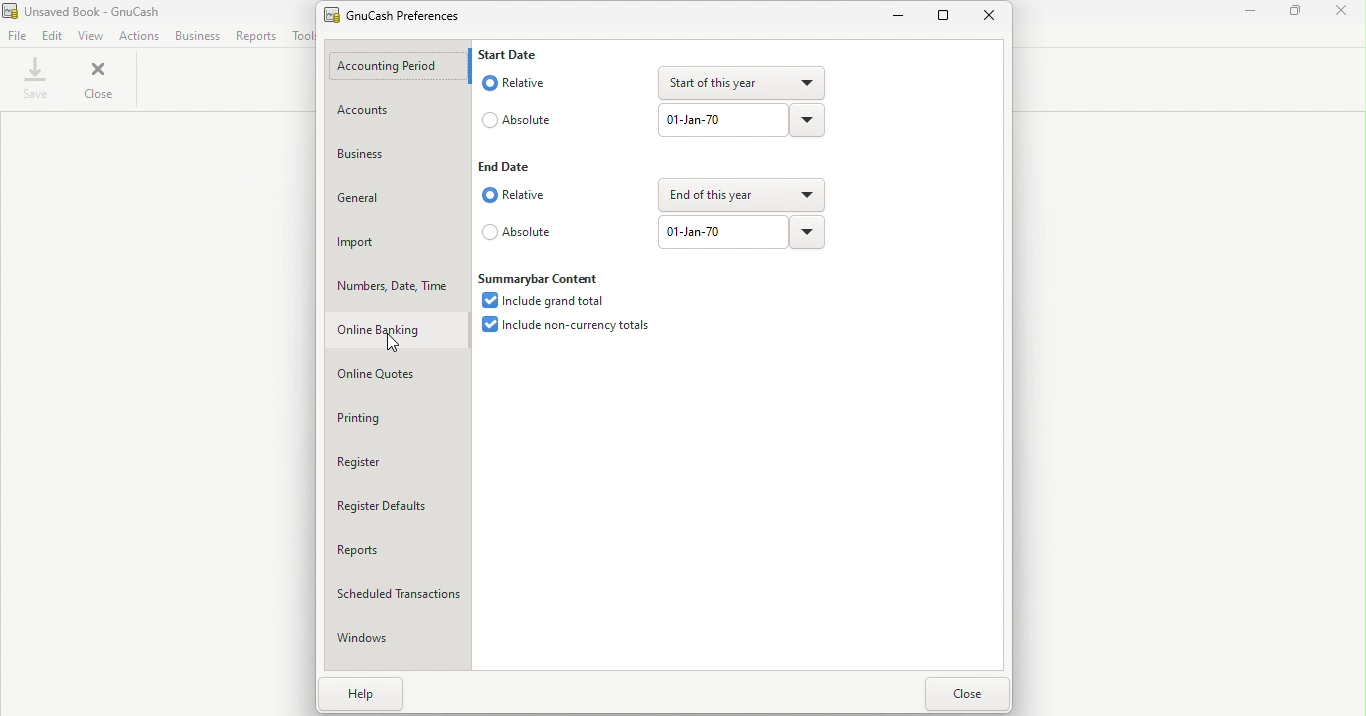 The width and height of the screenshot is (1366, 716). Describe the element at coordinates (552, 279) in the screenshot. I see `Summary content` at that location.